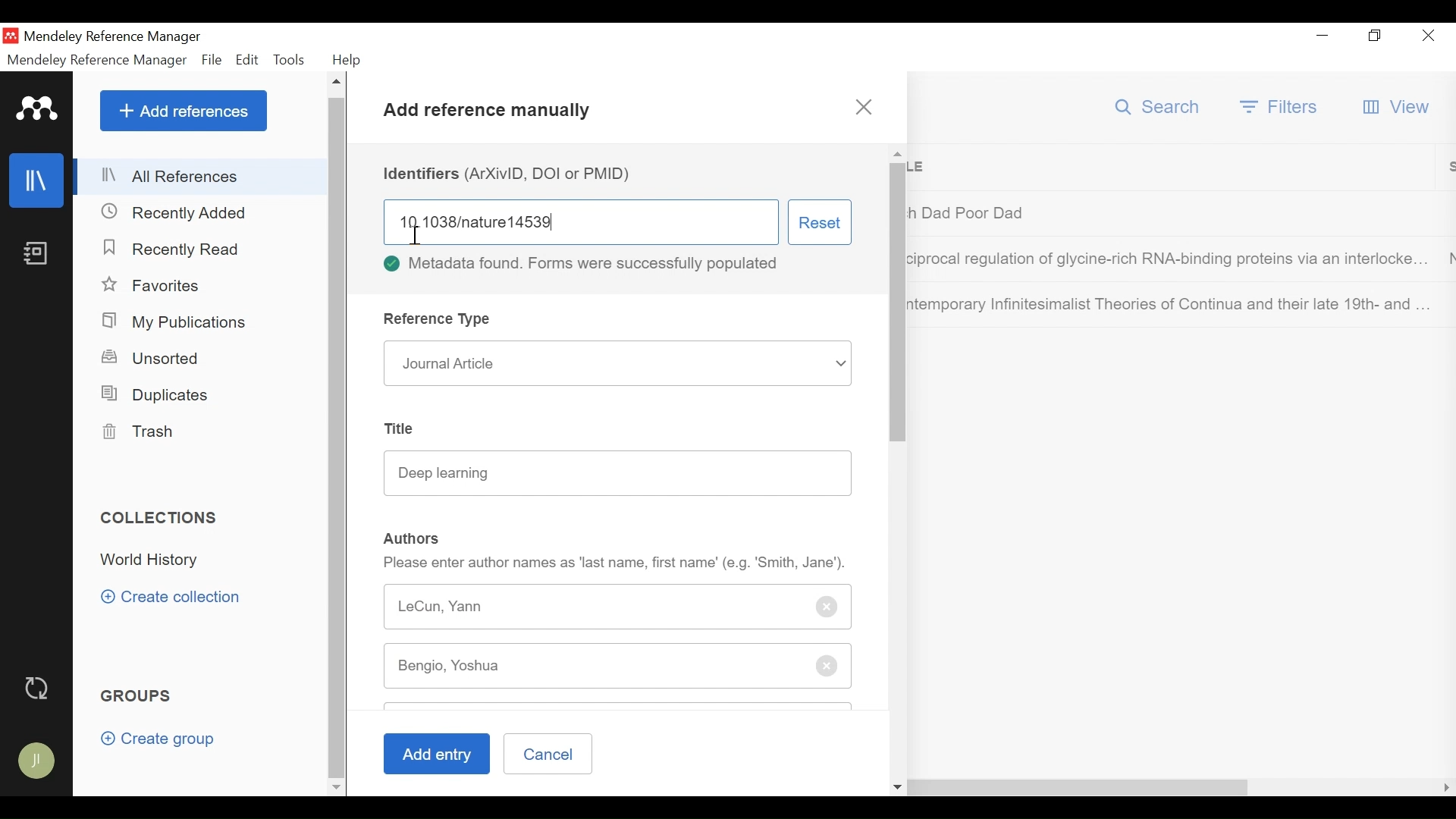 The image size is (1456, 819). Describe the element at coordinates (177, 322) in the screenshot. I see `My Publication` at that location.